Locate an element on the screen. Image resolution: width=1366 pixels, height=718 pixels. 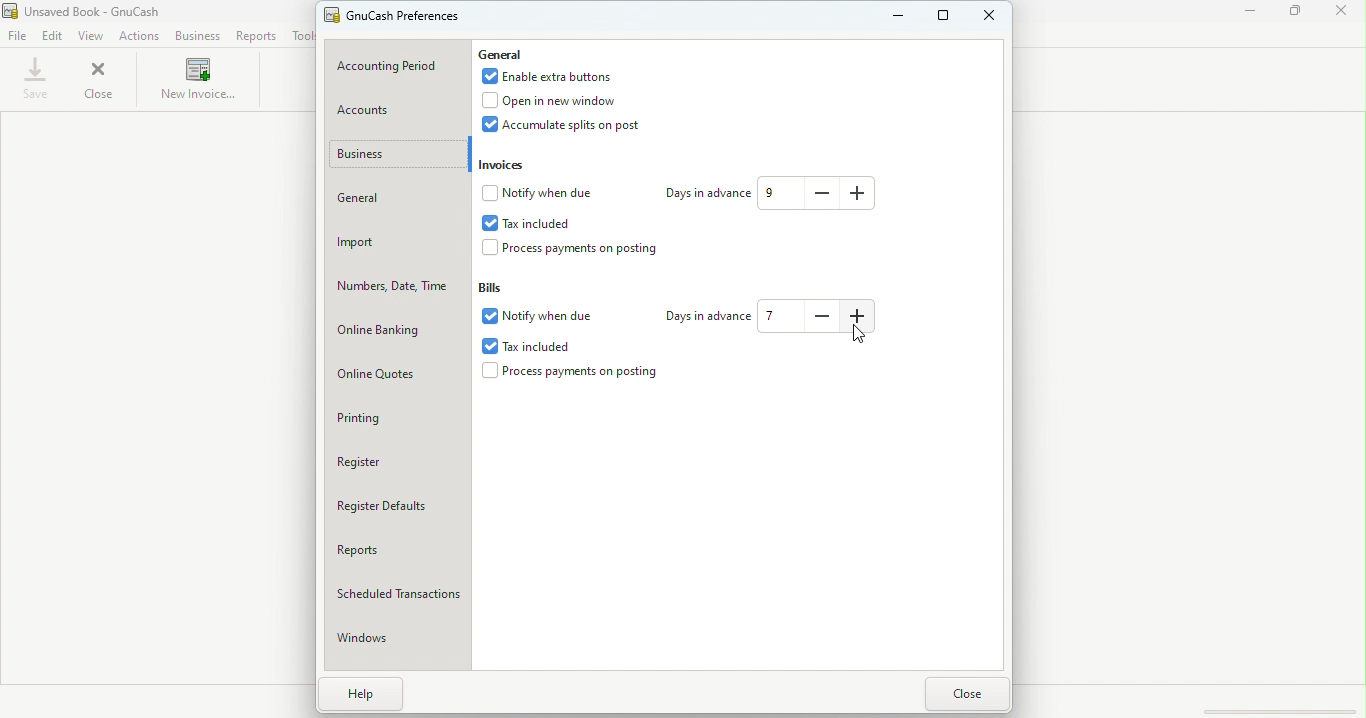
Open in new window is located at coordinates (566, 101).